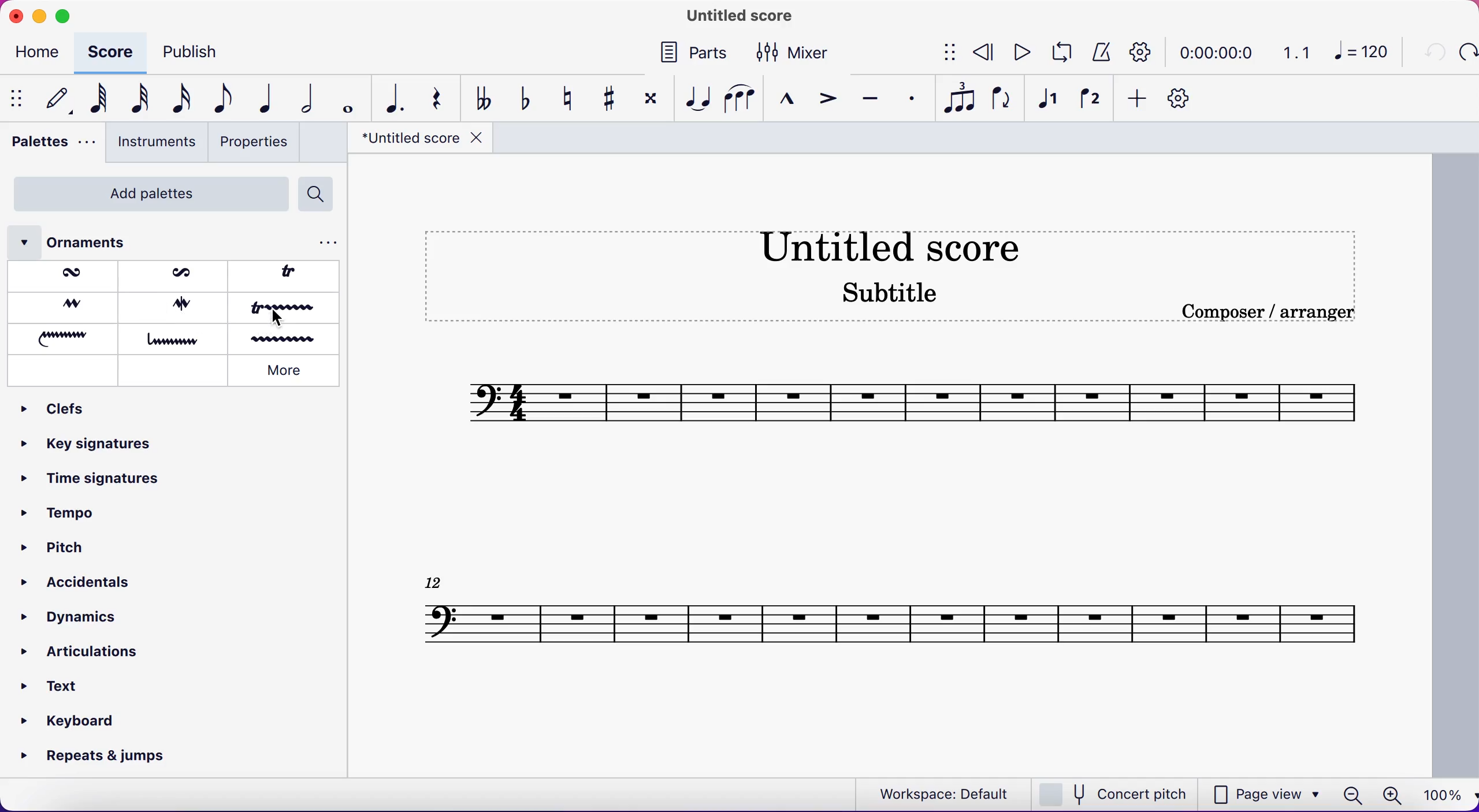  Describe the element at coordinates (321, 195) in the screenshot. I see `search` at that location.